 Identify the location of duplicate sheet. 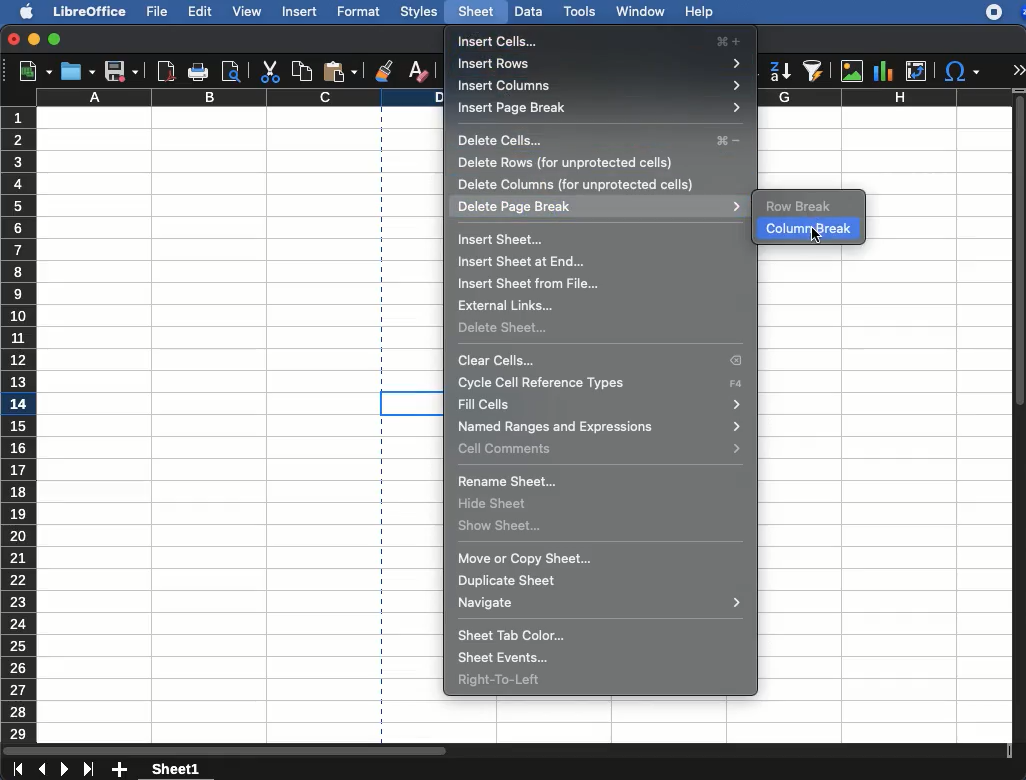
(510, 581).